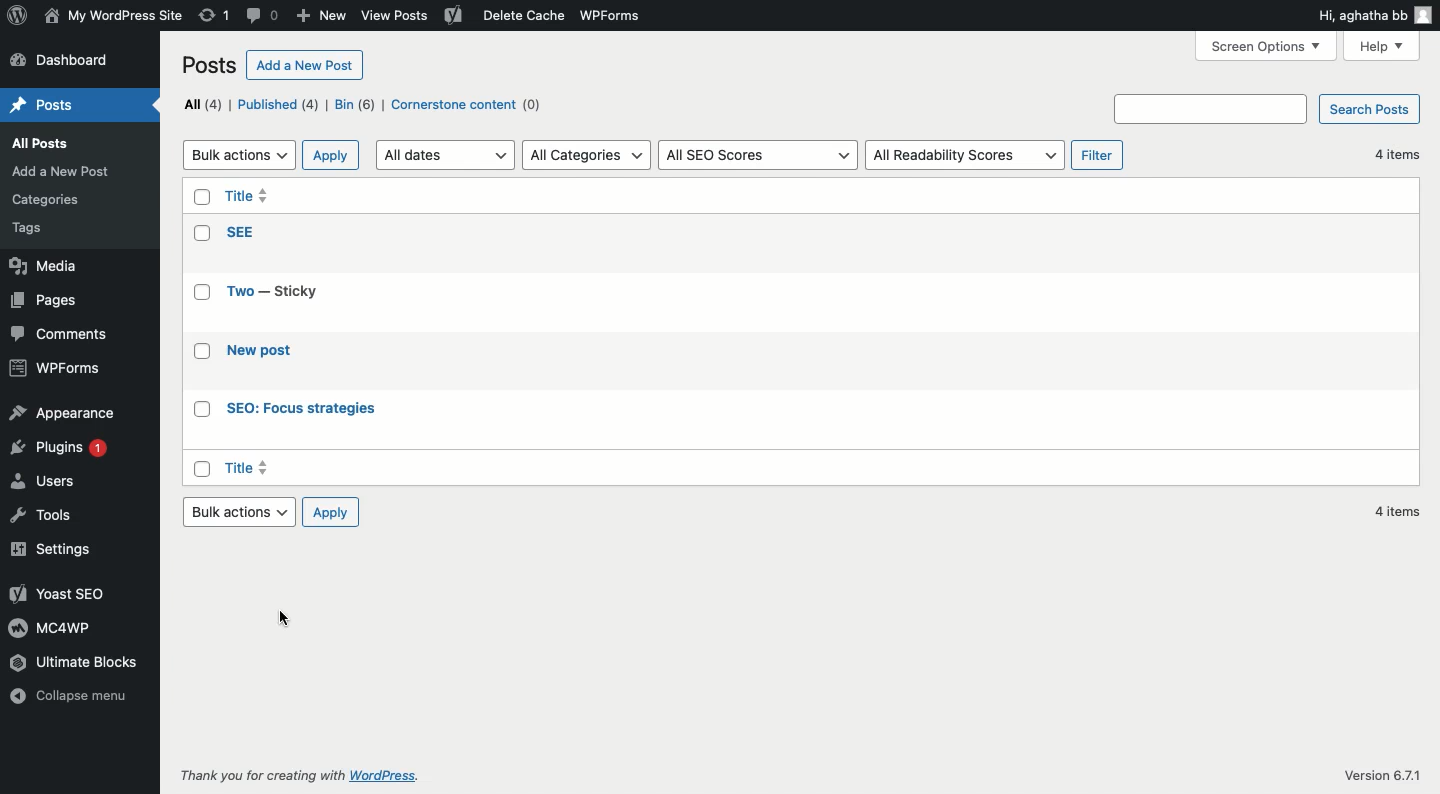  Describe the element at coordinates (239, 155) in the screenshot. I see `Bulk actions` at that location.